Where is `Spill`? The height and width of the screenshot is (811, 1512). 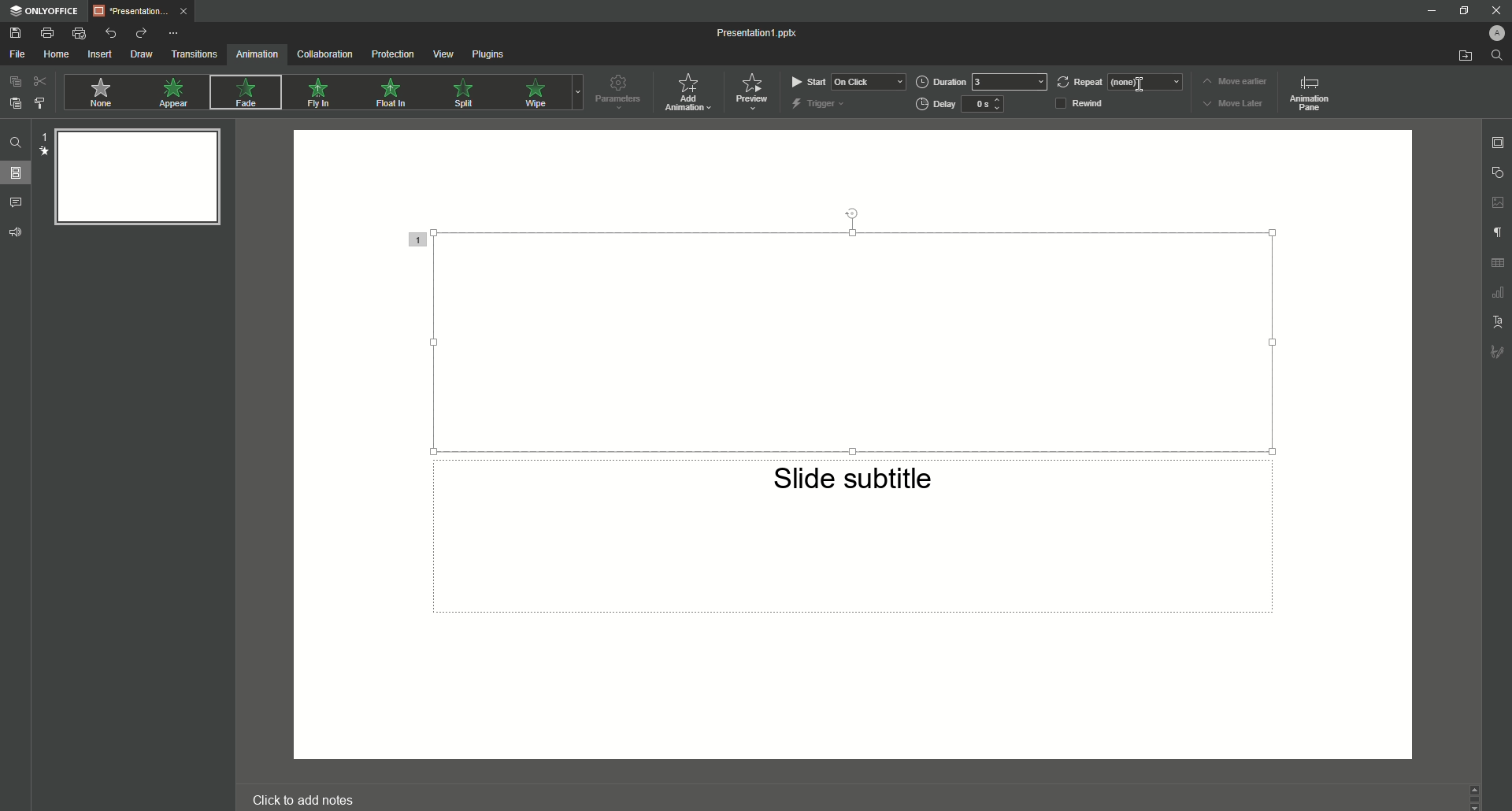 Spill is located at coordinates (465, 97).